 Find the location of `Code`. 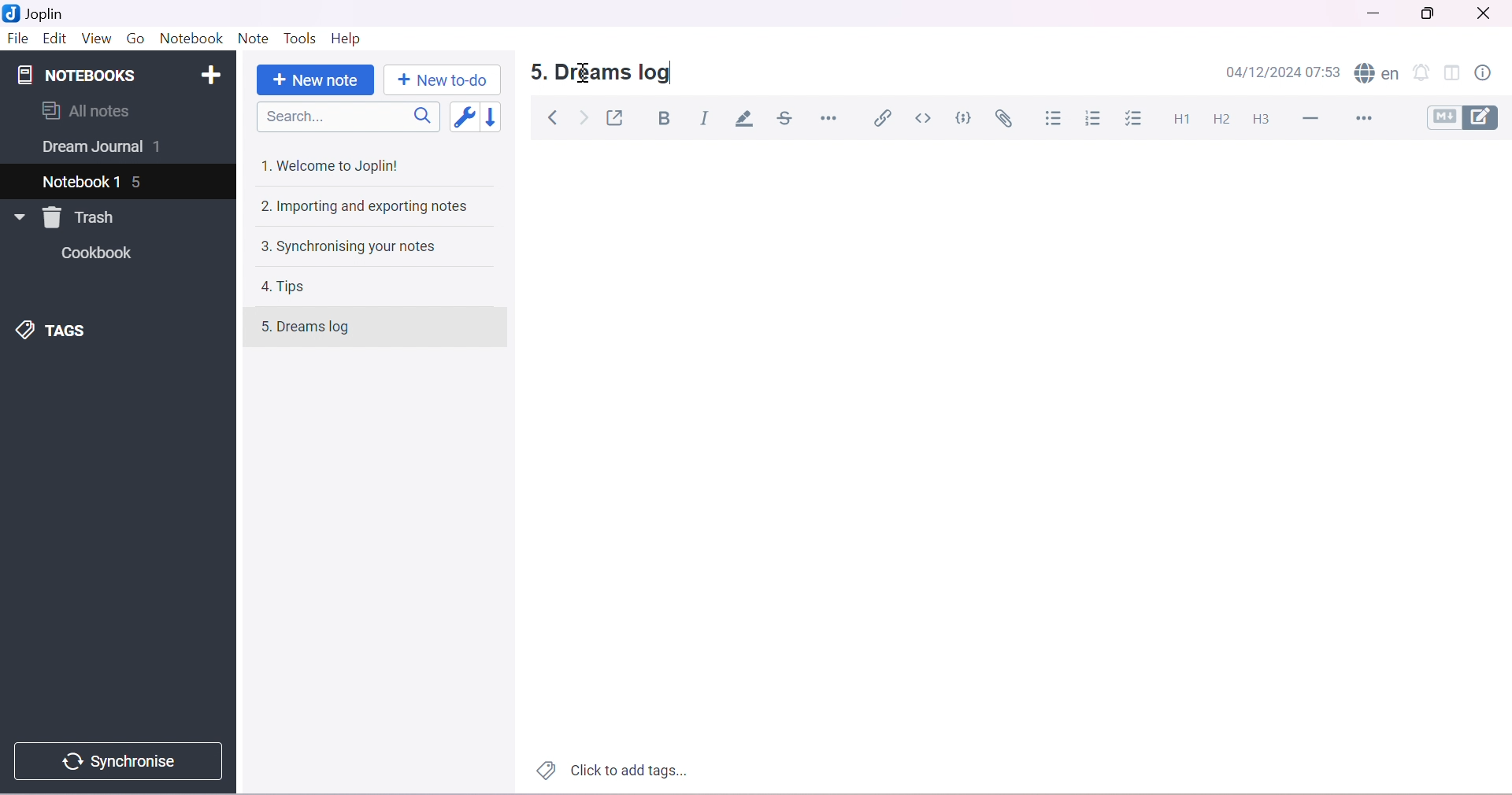

Code is located at coordinates (966, 117).